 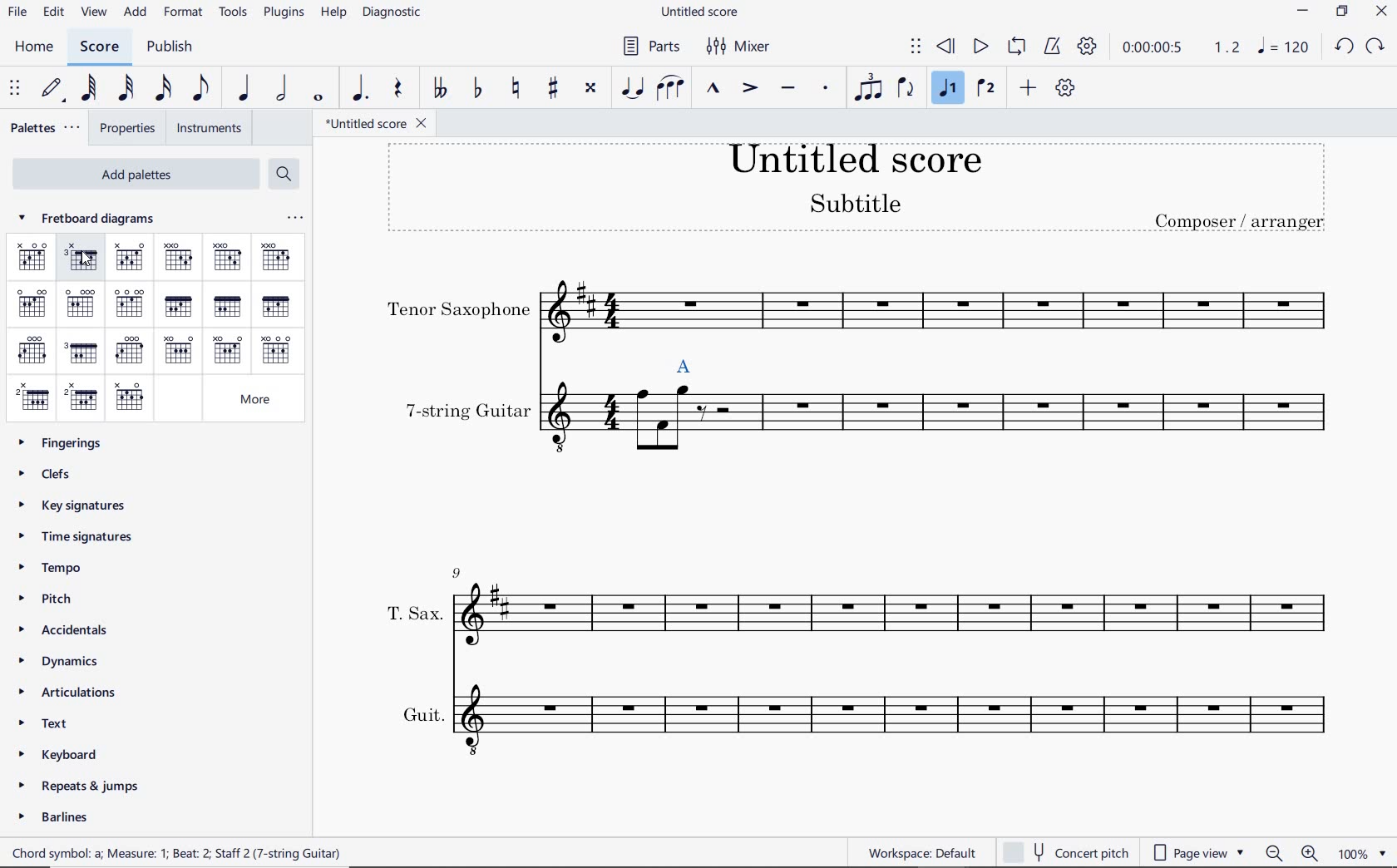 I want to click on D7, so click(x=275, y=258).